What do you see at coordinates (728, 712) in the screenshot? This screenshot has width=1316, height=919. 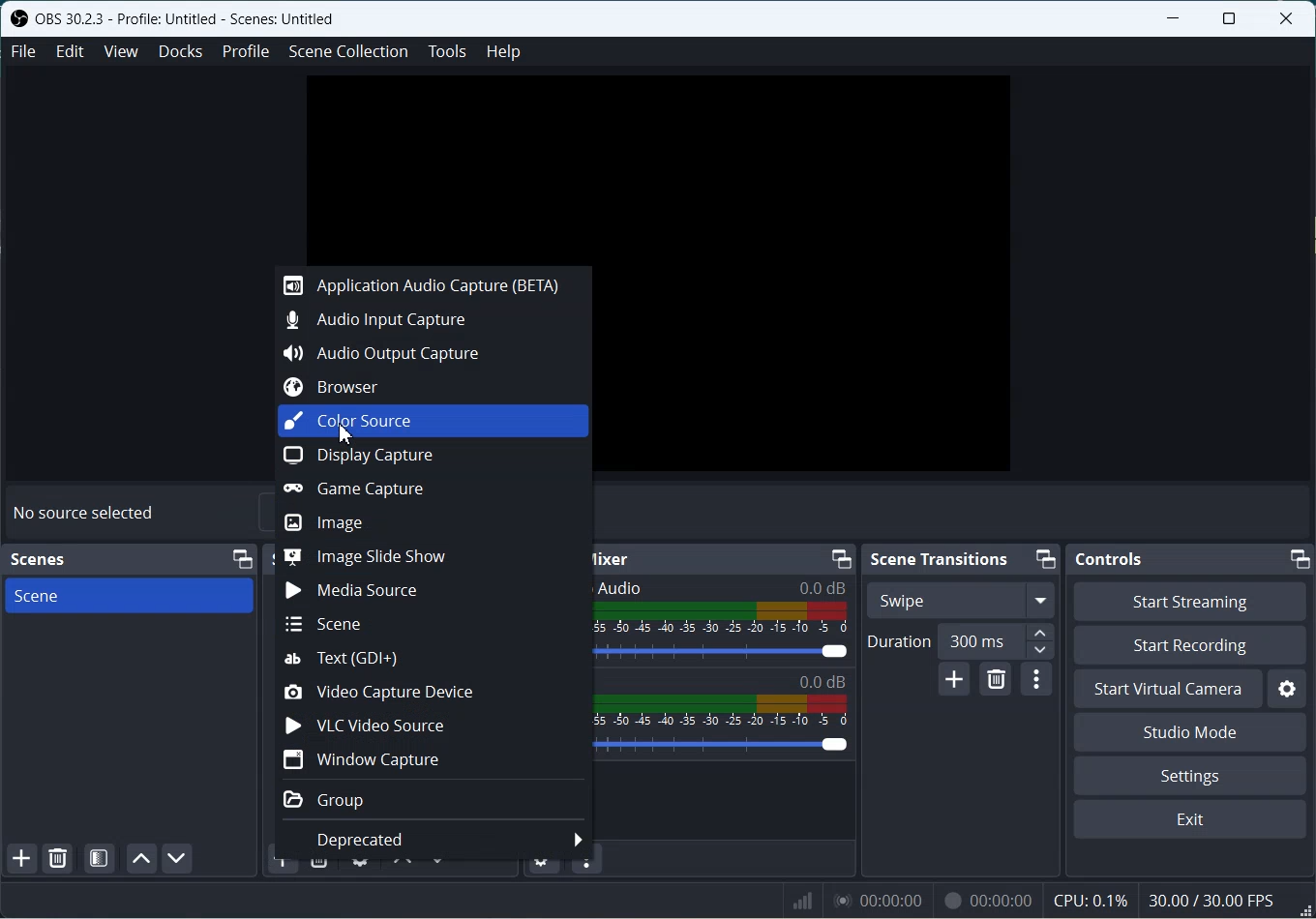 I see `Volume Indicator` at bounding box center [728, 712].